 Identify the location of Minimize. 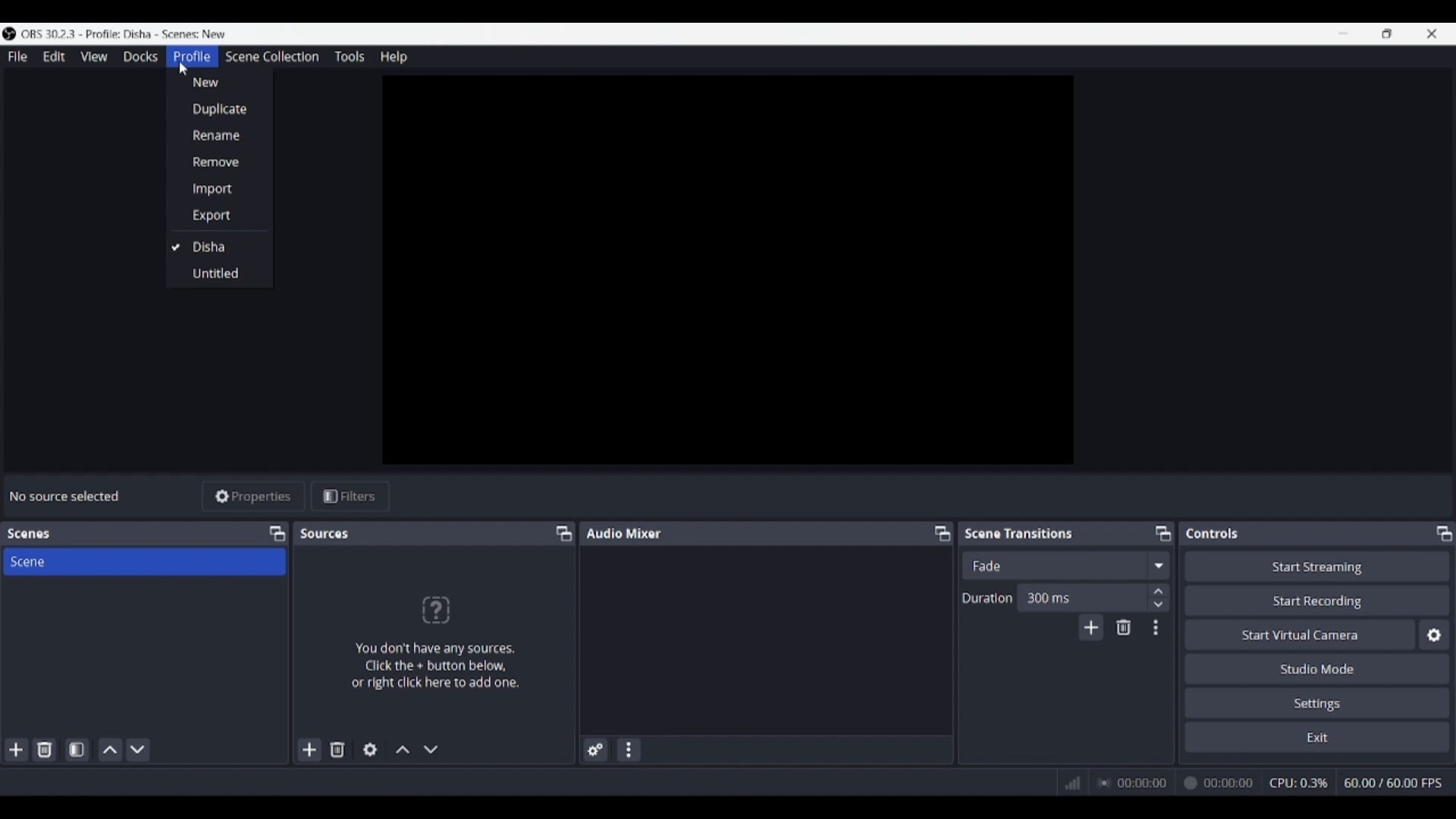
(1343, 33).